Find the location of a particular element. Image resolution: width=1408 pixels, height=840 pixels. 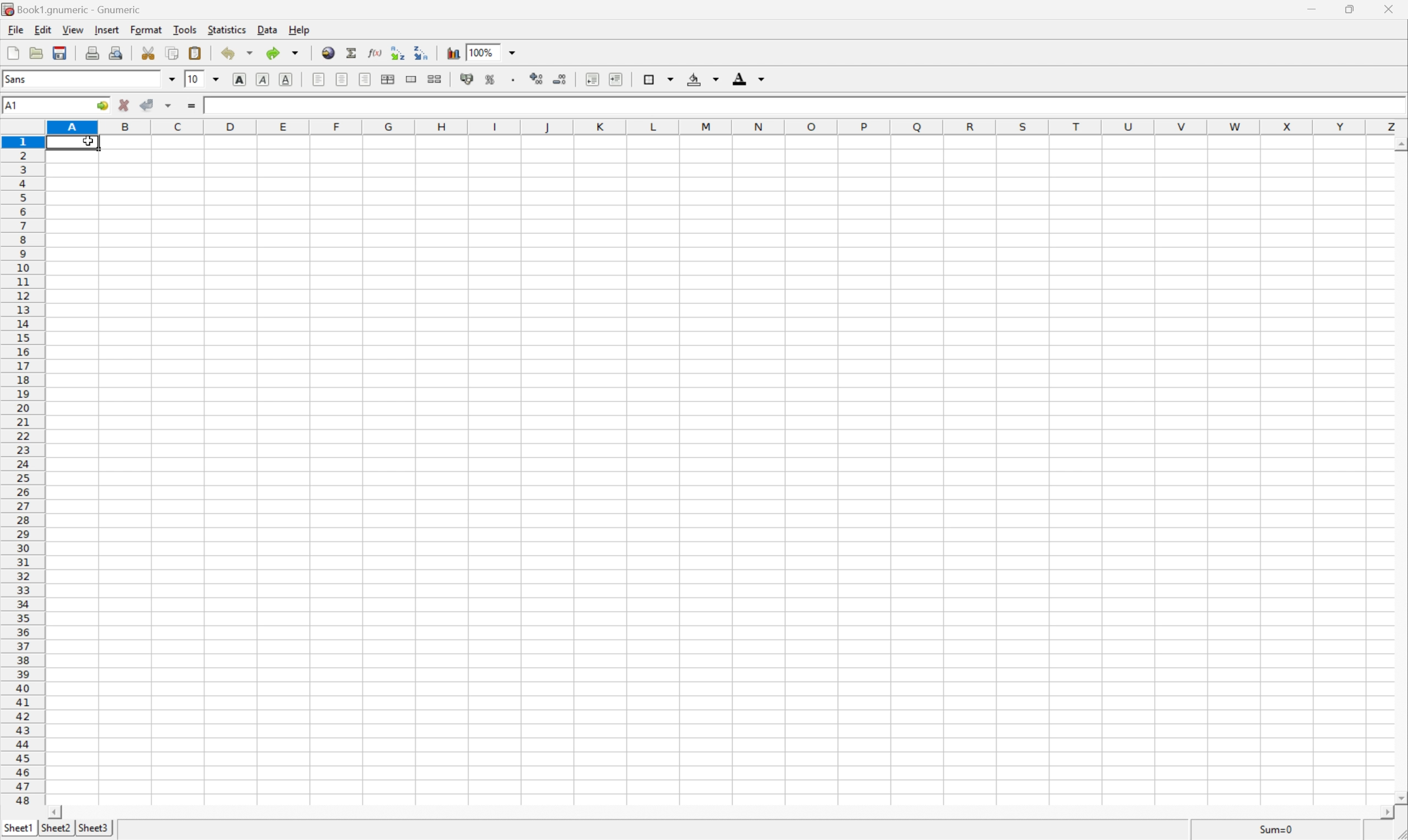

data is located at coordinates (265, 31).